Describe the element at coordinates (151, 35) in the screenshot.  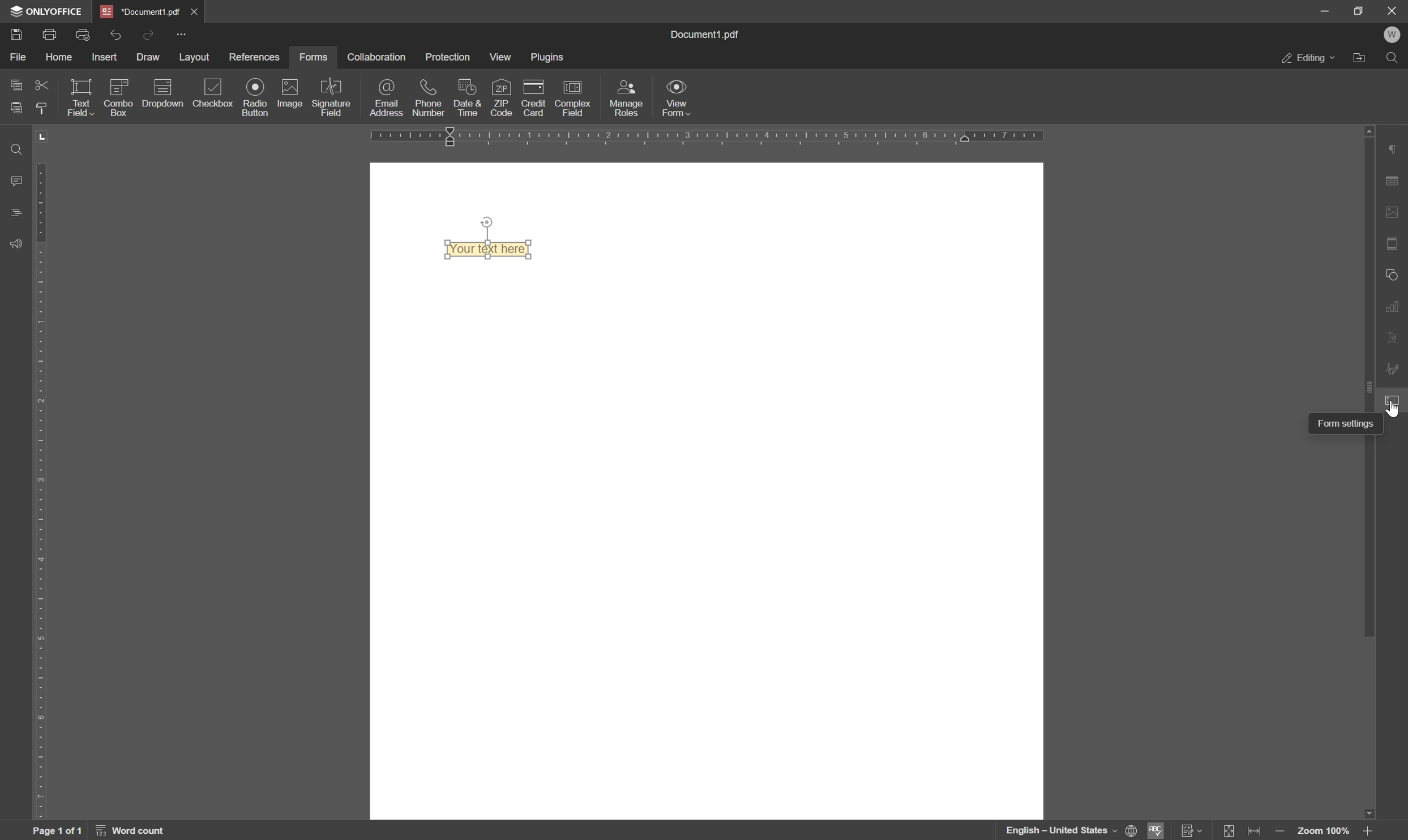
I see `redo` at that location.